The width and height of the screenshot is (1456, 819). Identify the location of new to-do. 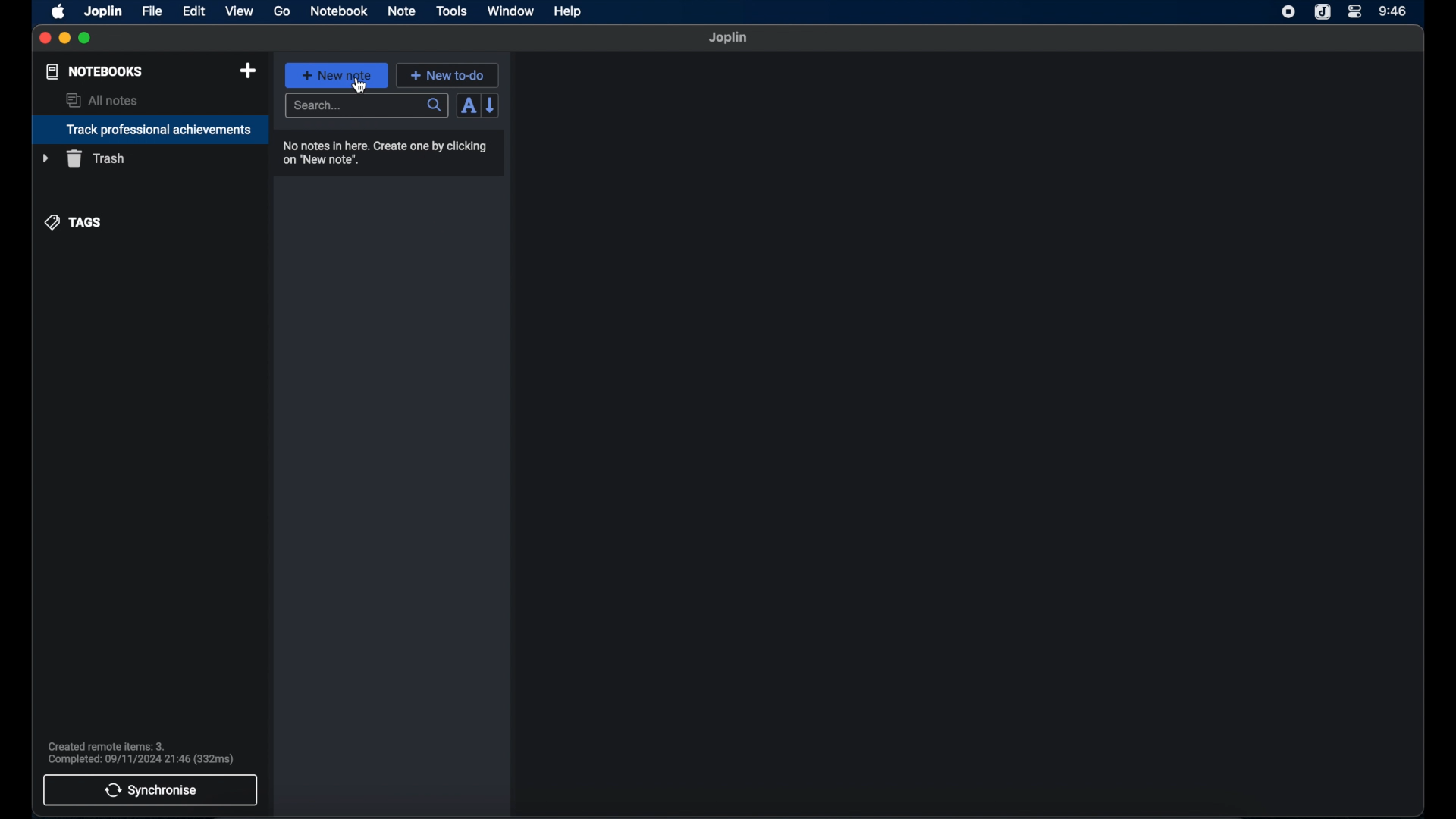
(447, 75).